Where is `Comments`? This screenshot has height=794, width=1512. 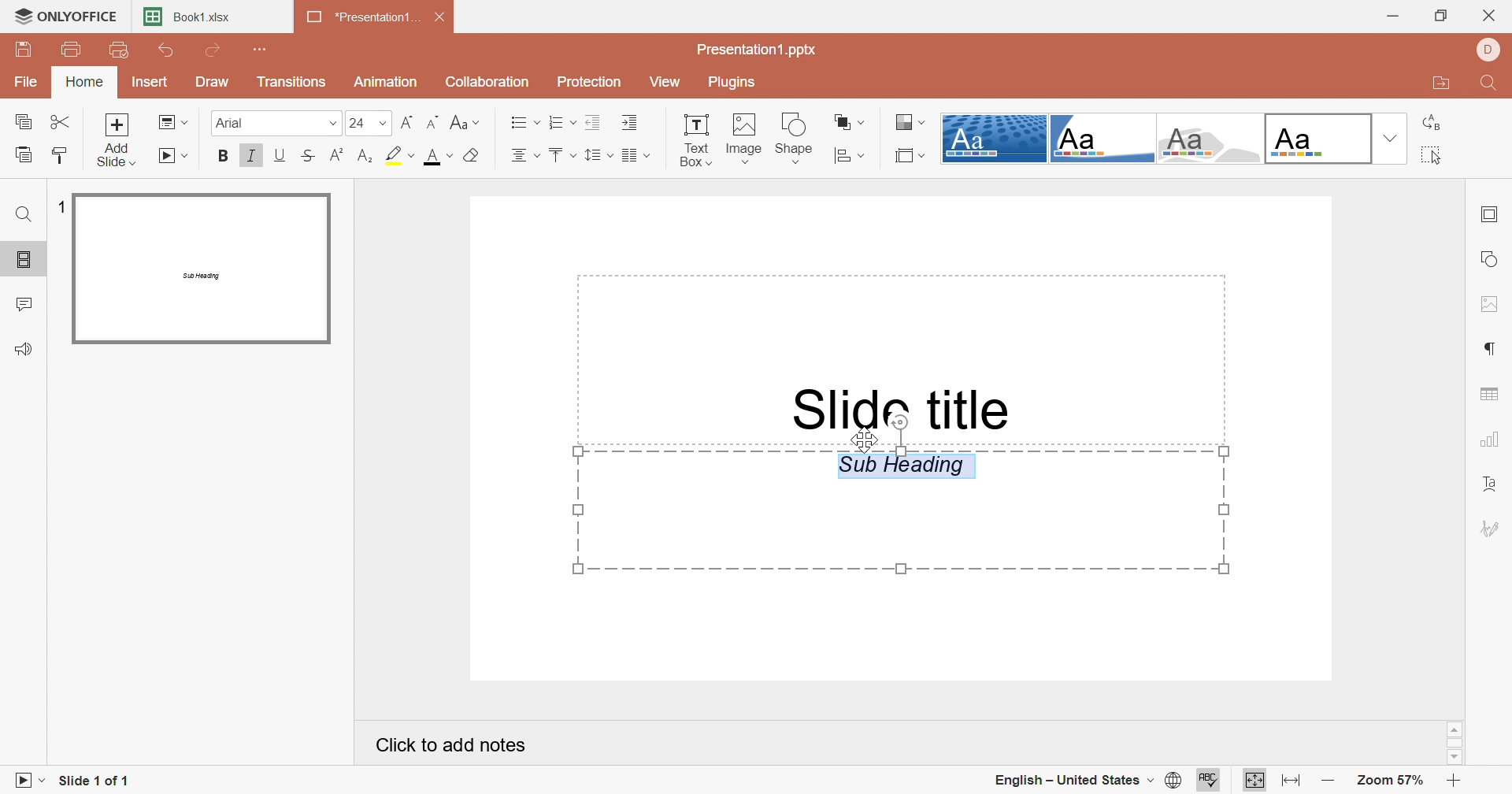 Comments is located at coordinates (28, 303).